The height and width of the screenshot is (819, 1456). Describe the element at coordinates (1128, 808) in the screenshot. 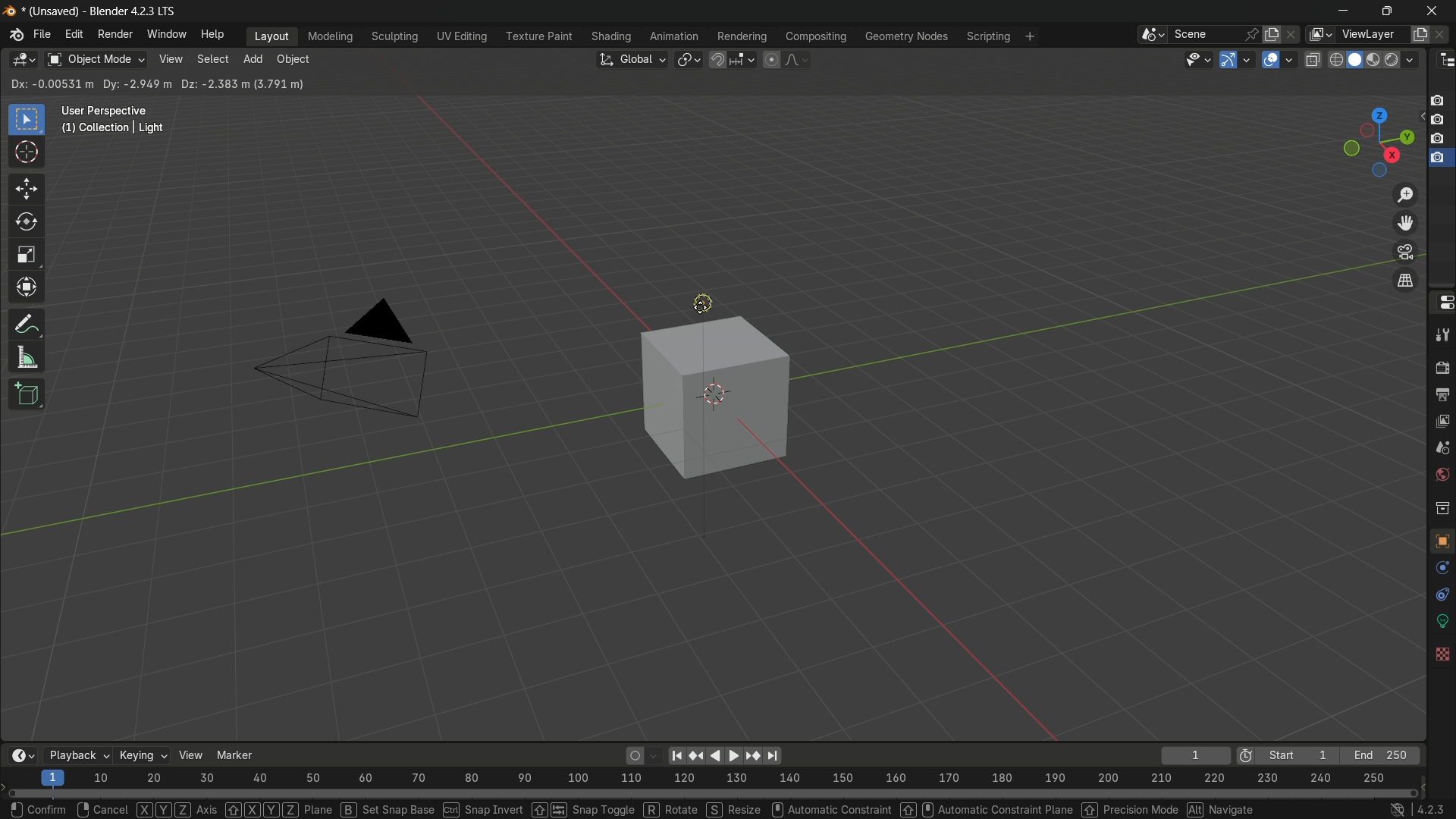

I see `Precision Mode` at that location.